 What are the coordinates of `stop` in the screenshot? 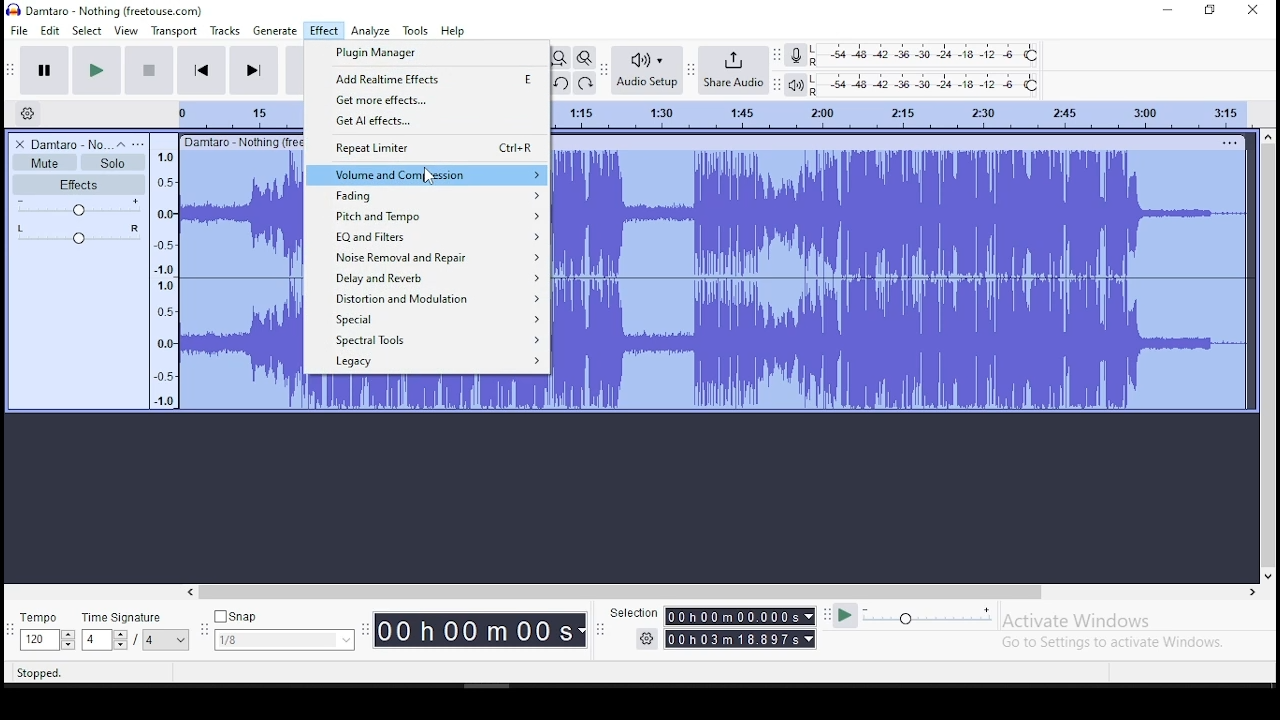 It's located at (151, 70).